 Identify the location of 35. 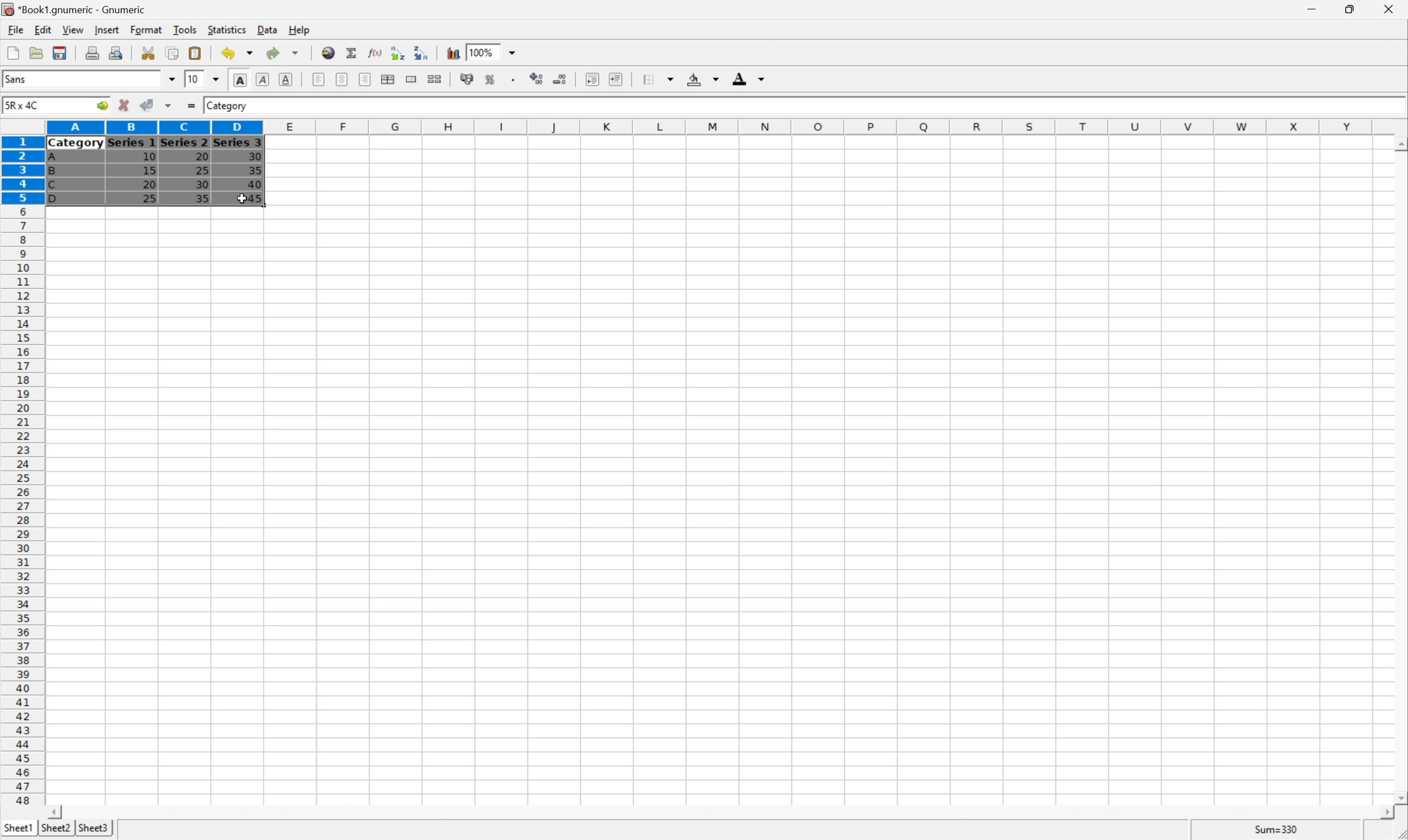
(255, 170).